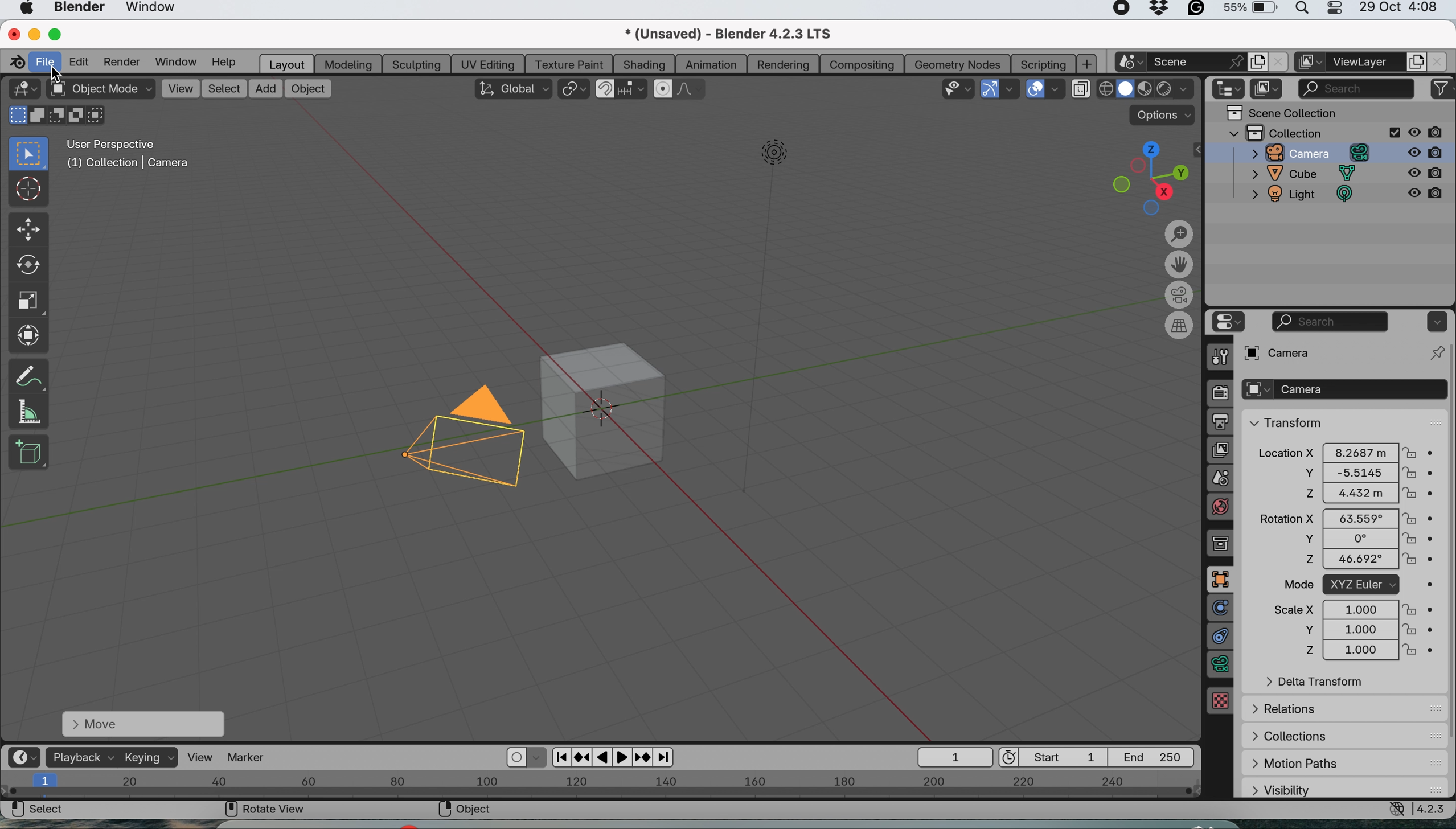 Image resolution: width=1456 pixels, height=829 pixels. What do you see at coordinates (959, 63) in the screenshot?
I see `geometry nodes` at bounding box center [959, 63].